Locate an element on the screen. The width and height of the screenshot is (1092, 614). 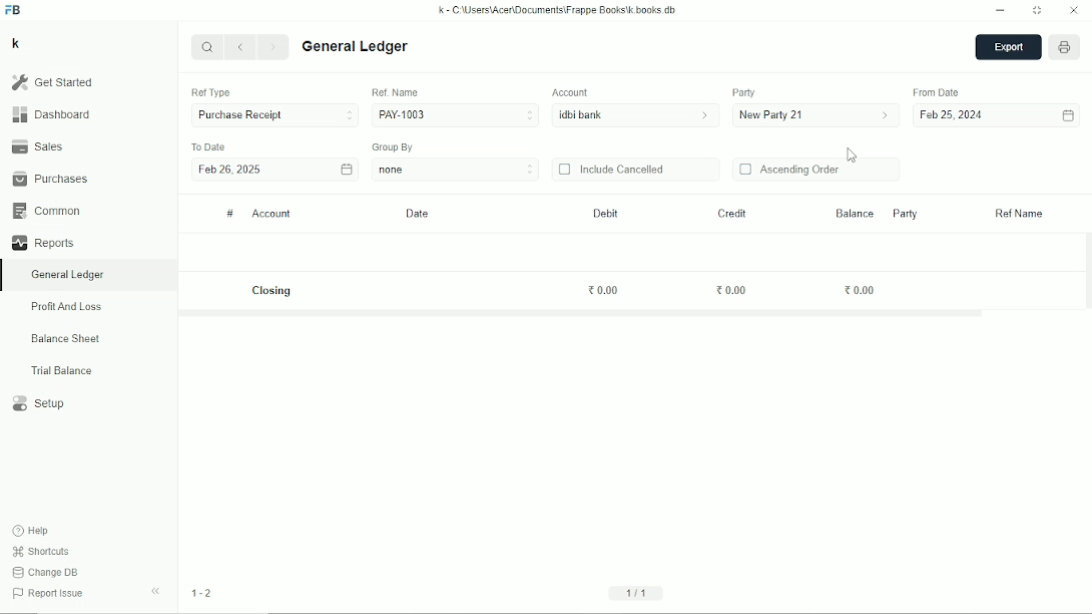
Help is located at coordinates (33, 531).